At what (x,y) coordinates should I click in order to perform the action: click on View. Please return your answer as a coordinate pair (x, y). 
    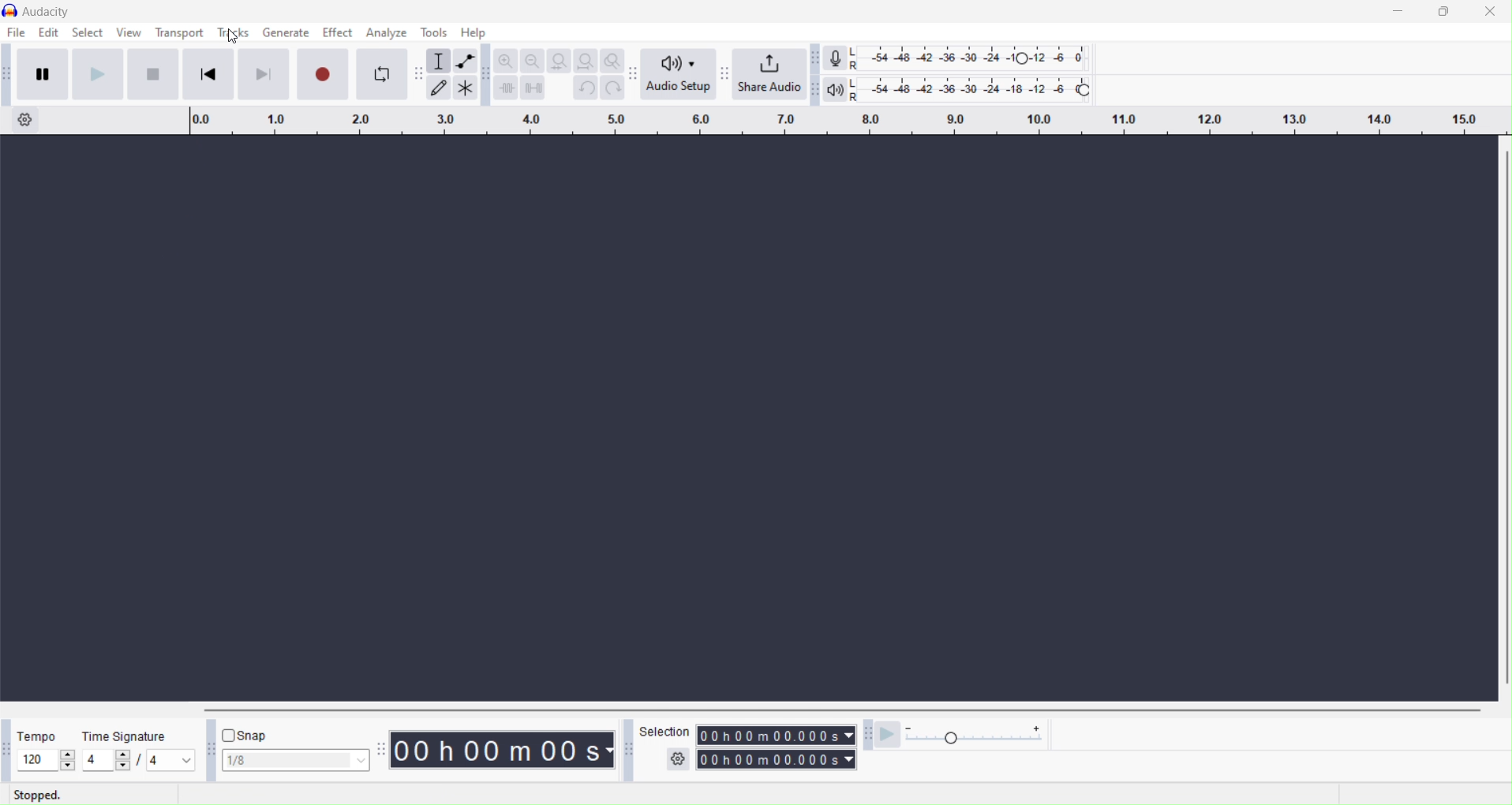
    Looking at the image, I should click on (129, 32).